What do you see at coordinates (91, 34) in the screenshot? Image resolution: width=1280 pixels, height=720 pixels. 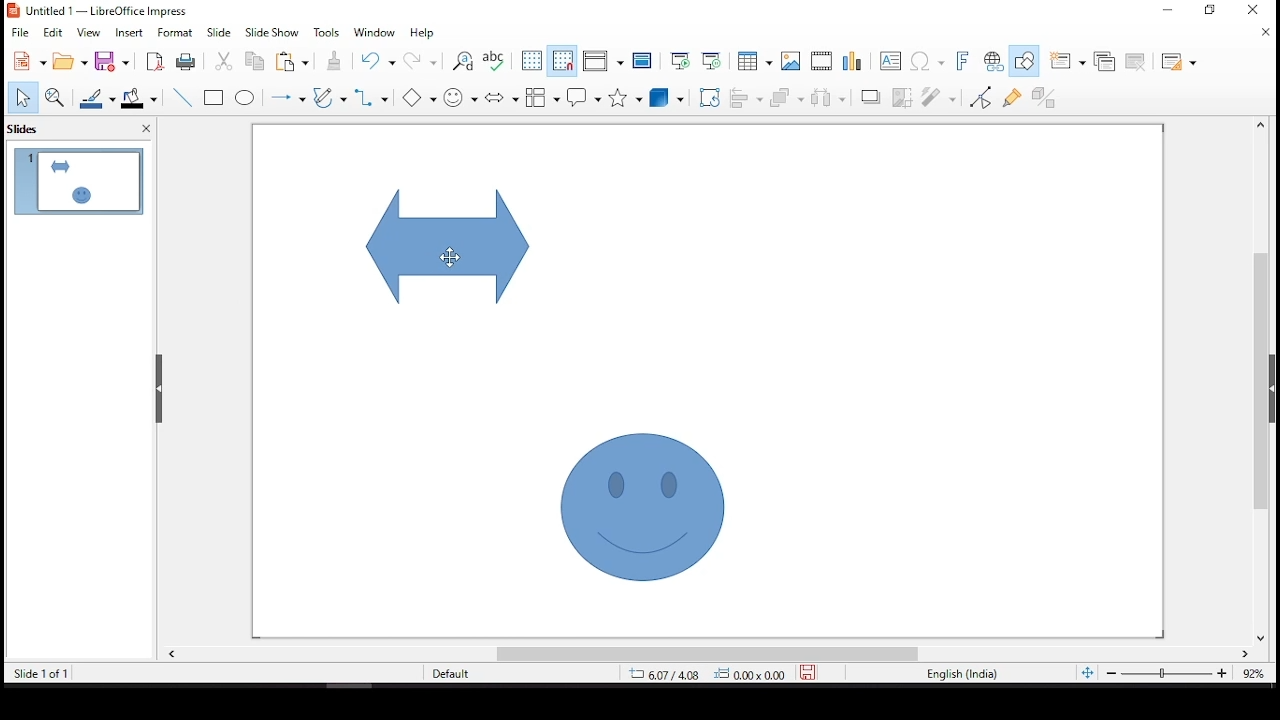 I see `view` at bounding box center [91, 34].